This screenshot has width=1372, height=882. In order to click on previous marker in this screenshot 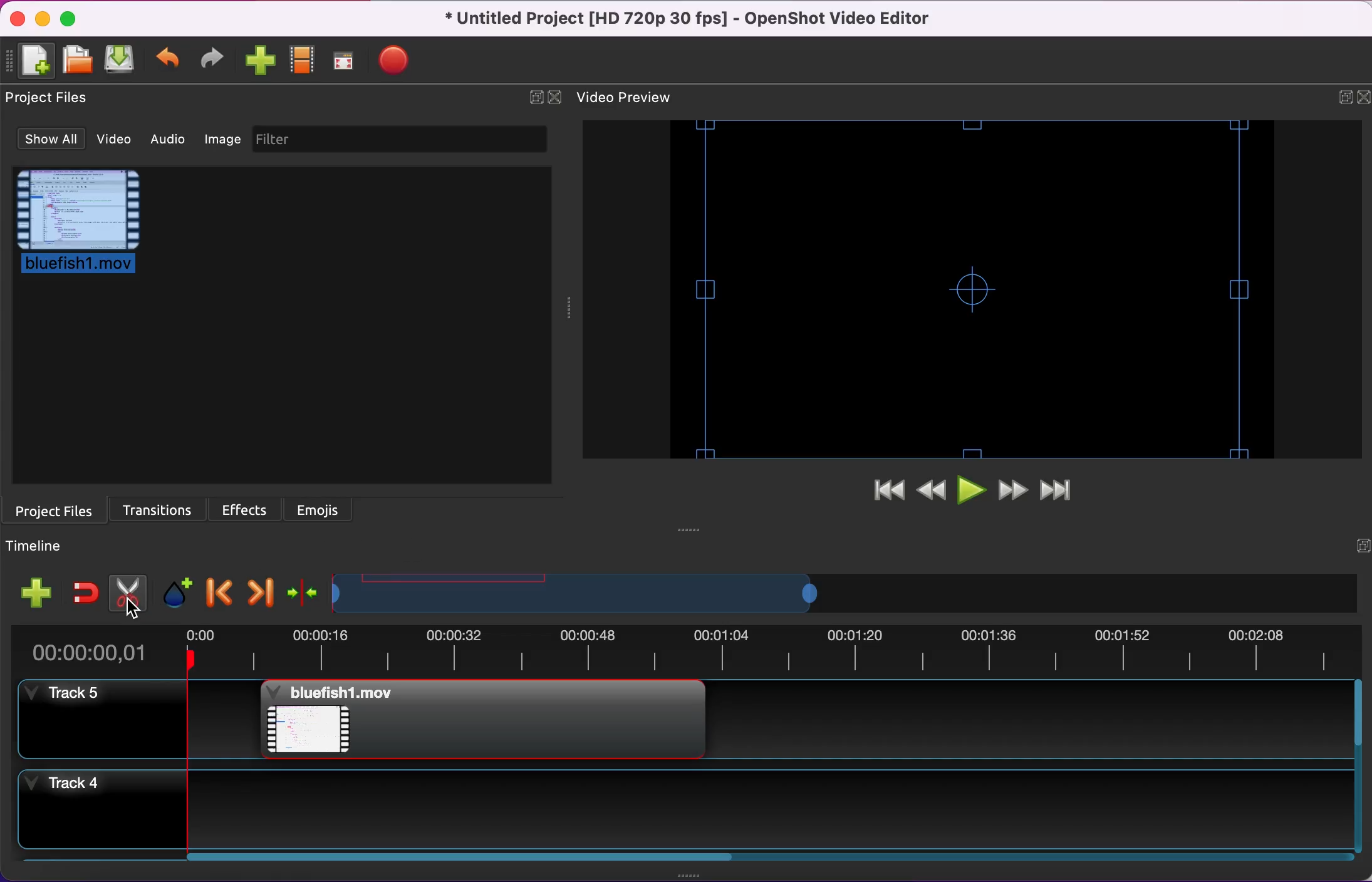, I will do `click(216, 591)`.